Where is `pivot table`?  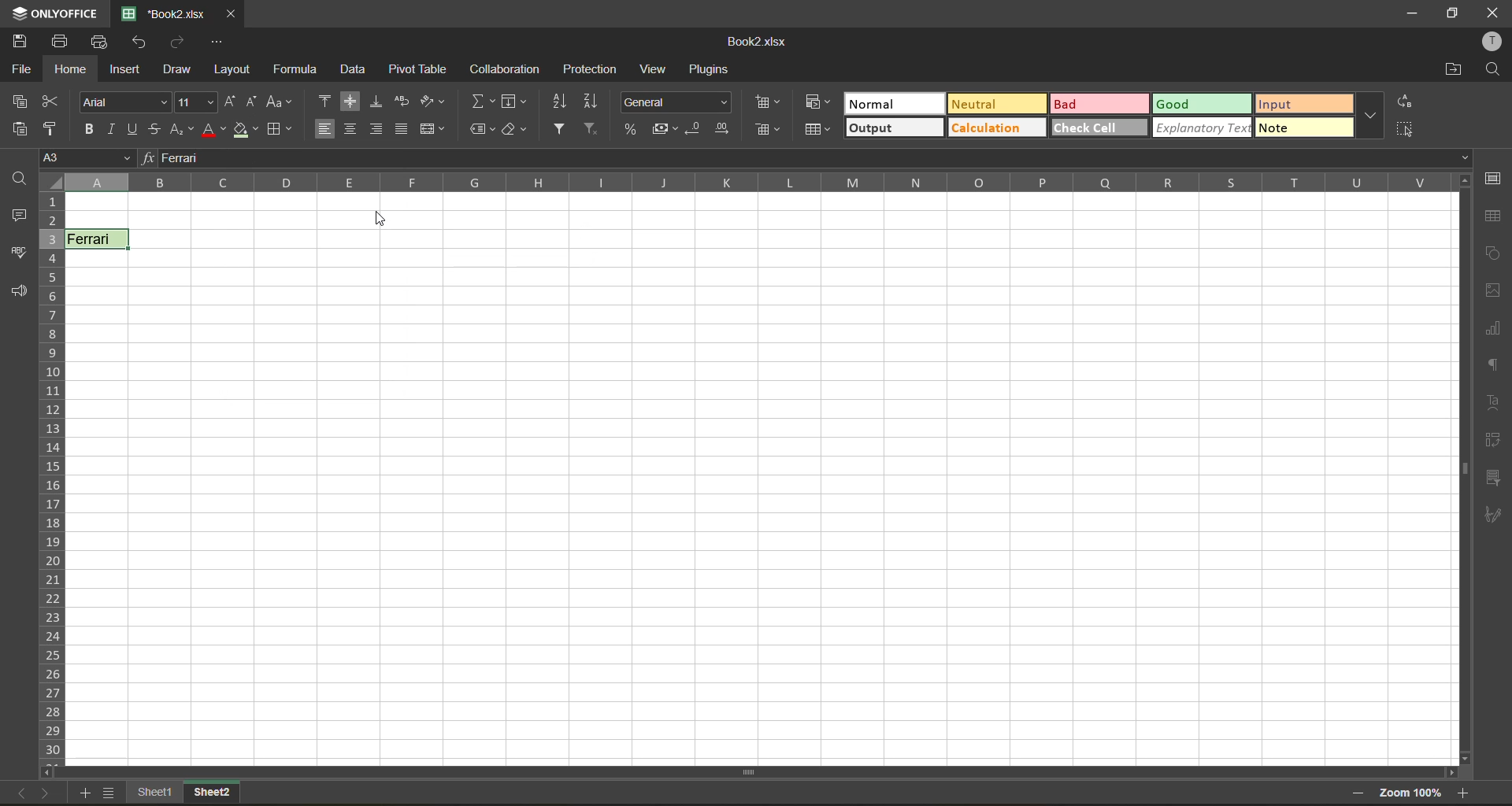
pivot table is located at coordinates (1495, 442).